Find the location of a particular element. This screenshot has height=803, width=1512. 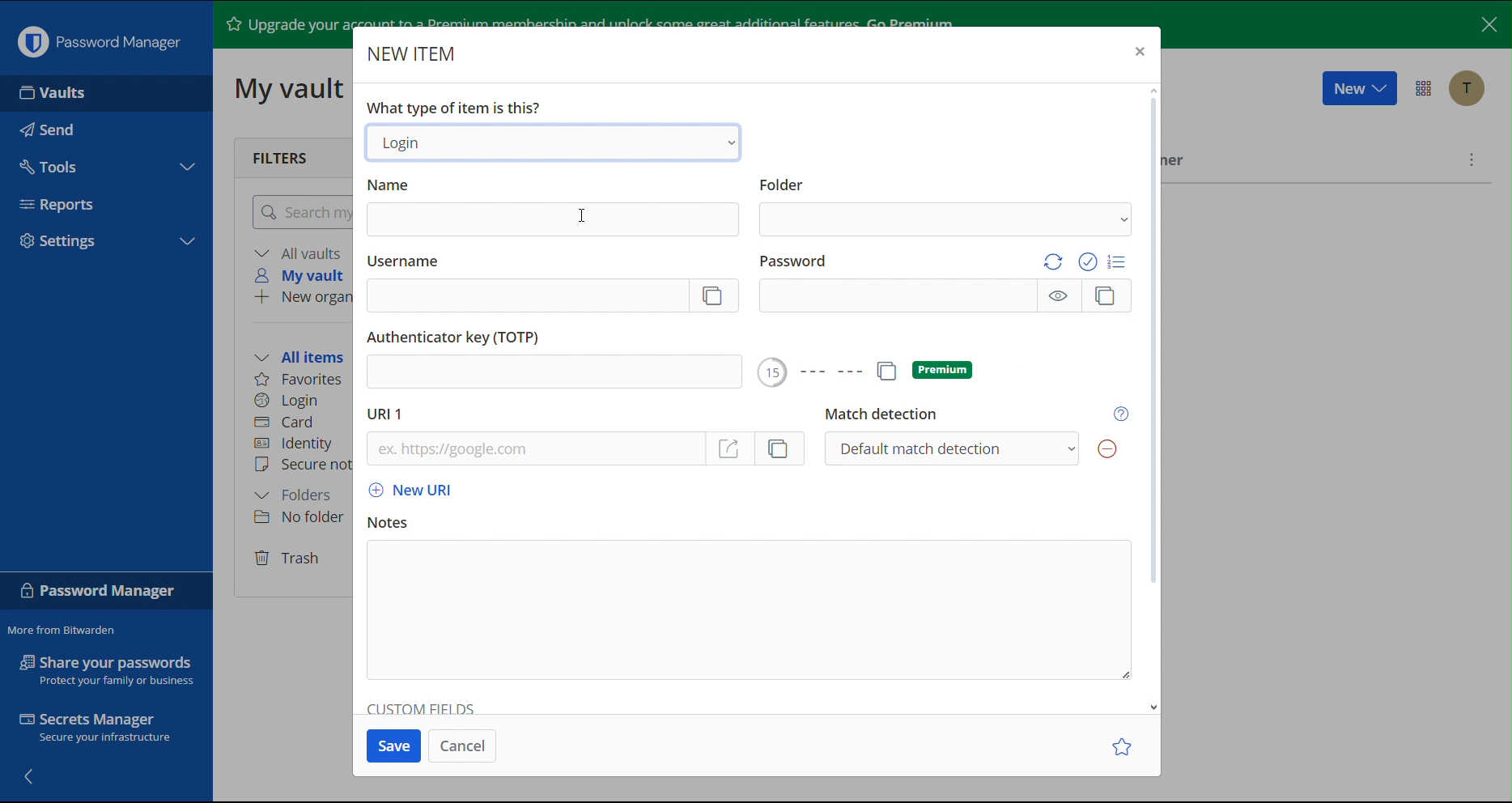

Folders is located at coordinates (295, 495).